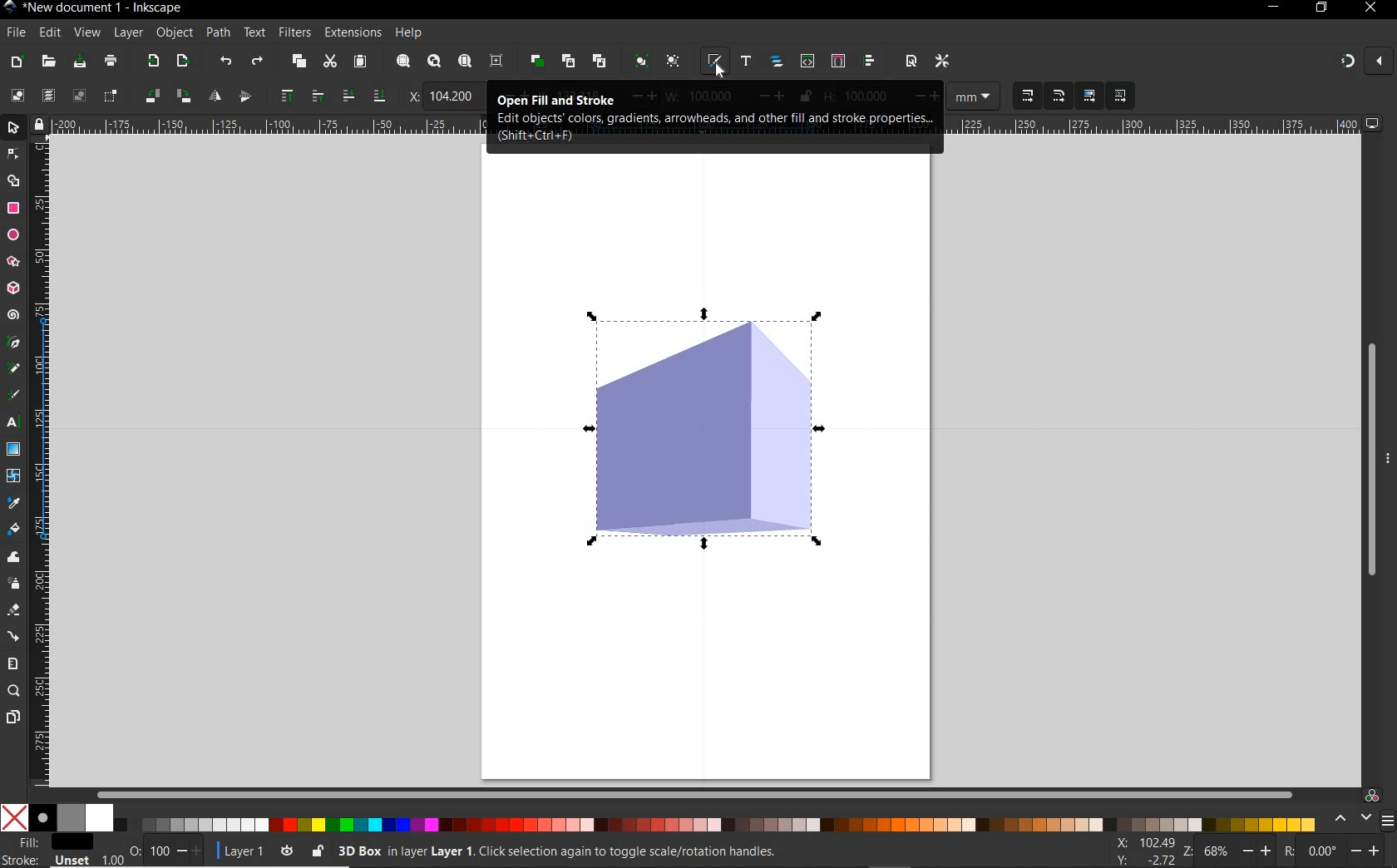  Describe the element at coordinates (1143, 850) in the screenshot. I see `CURSOR COORDINATES` at that location.